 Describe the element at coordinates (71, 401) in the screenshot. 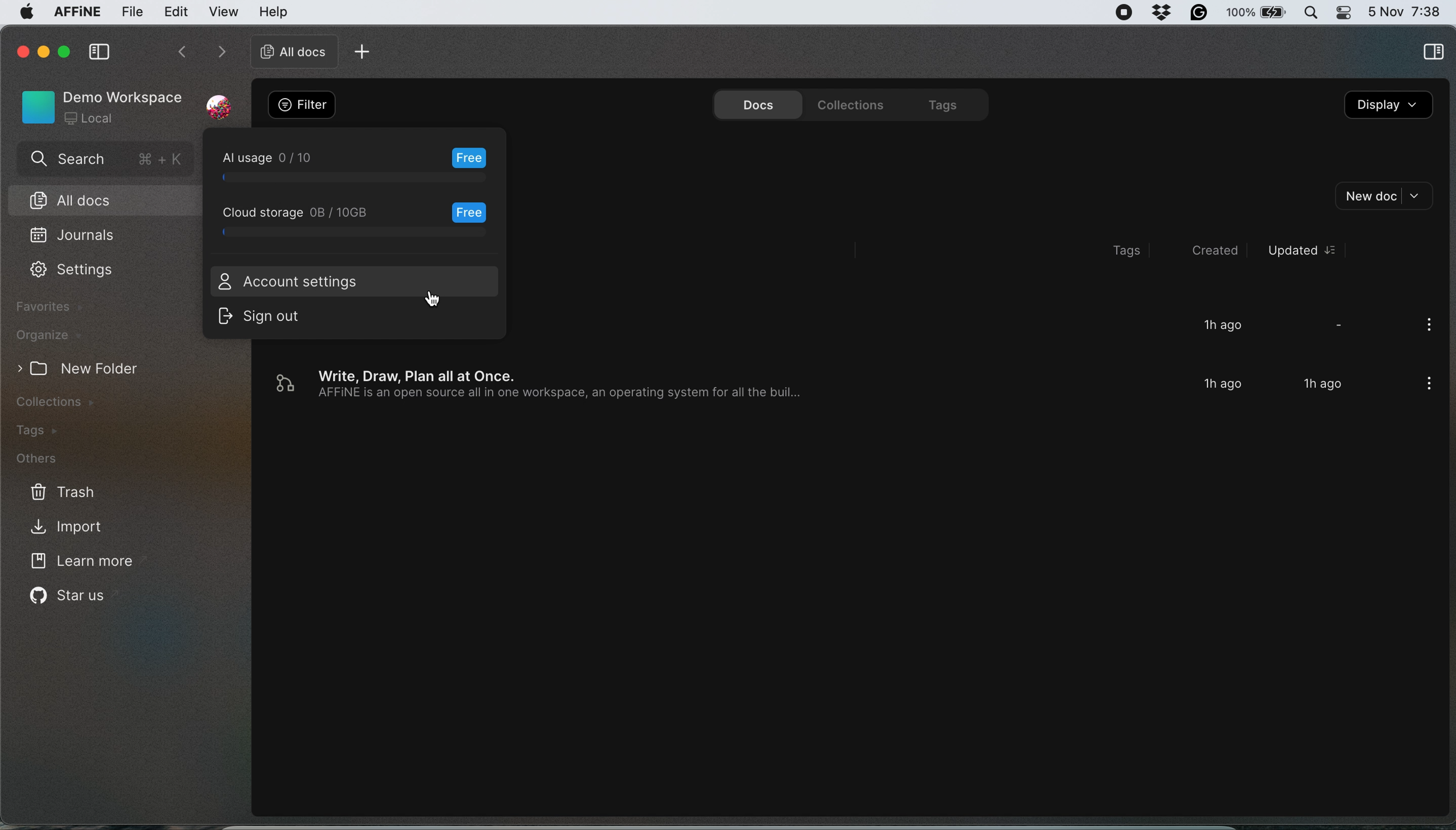

I see `collections` at that location.